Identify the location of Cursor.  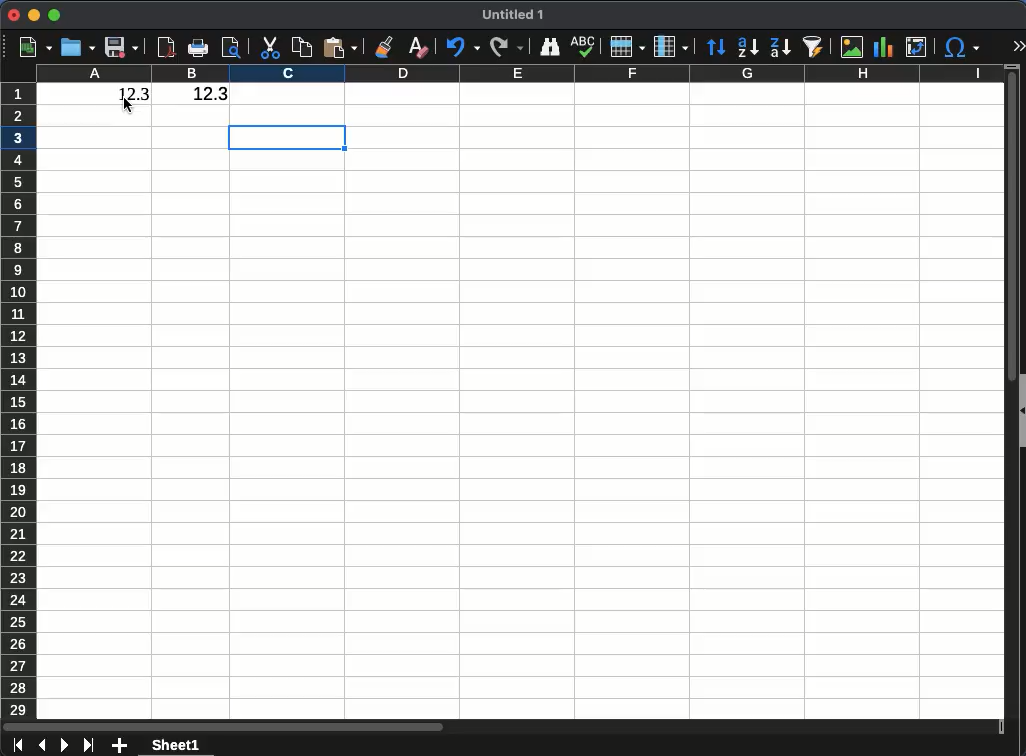
(128, 105).